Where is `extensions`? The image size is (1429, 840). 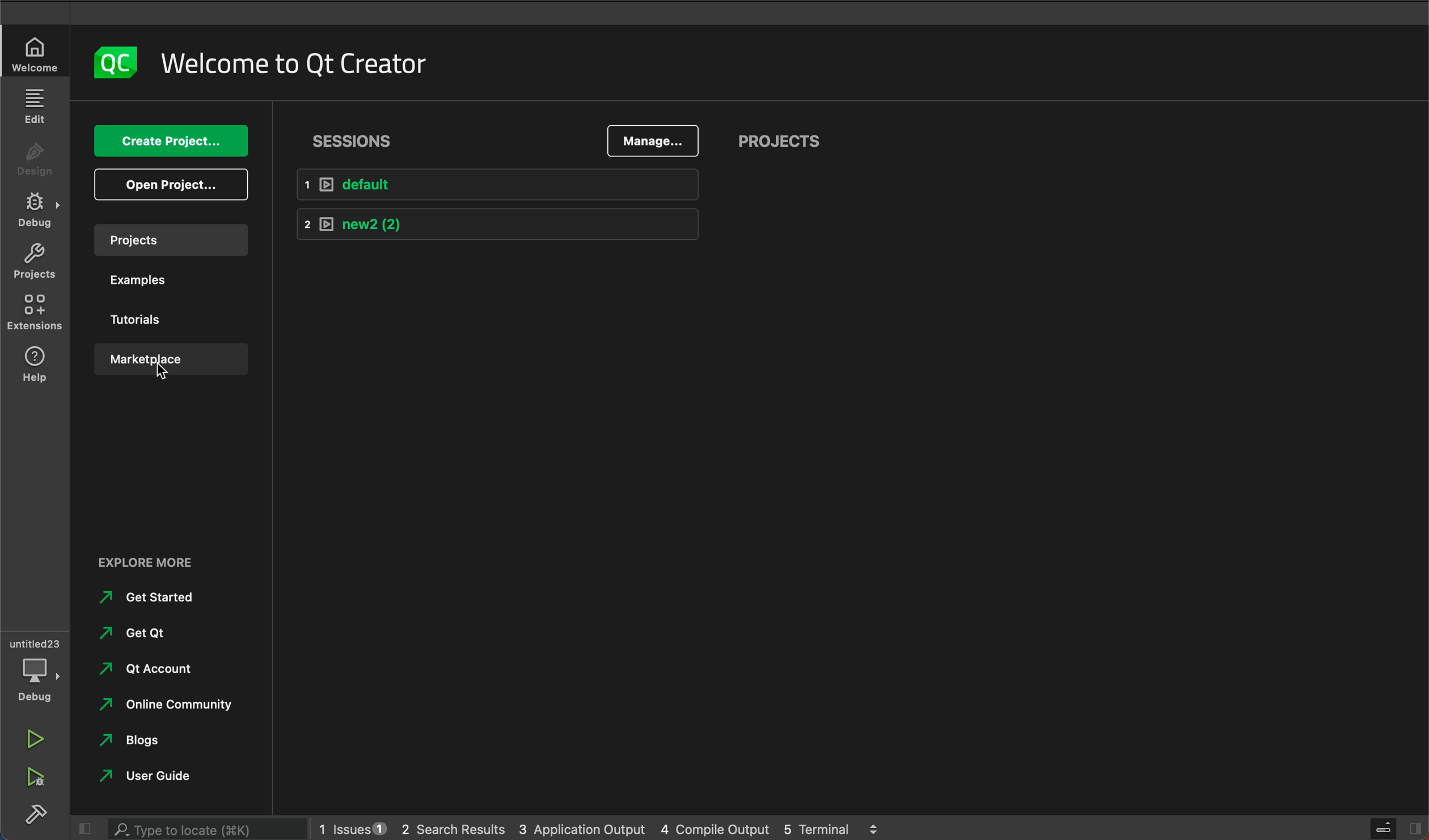
extensions is located at coordinates (35, 316).